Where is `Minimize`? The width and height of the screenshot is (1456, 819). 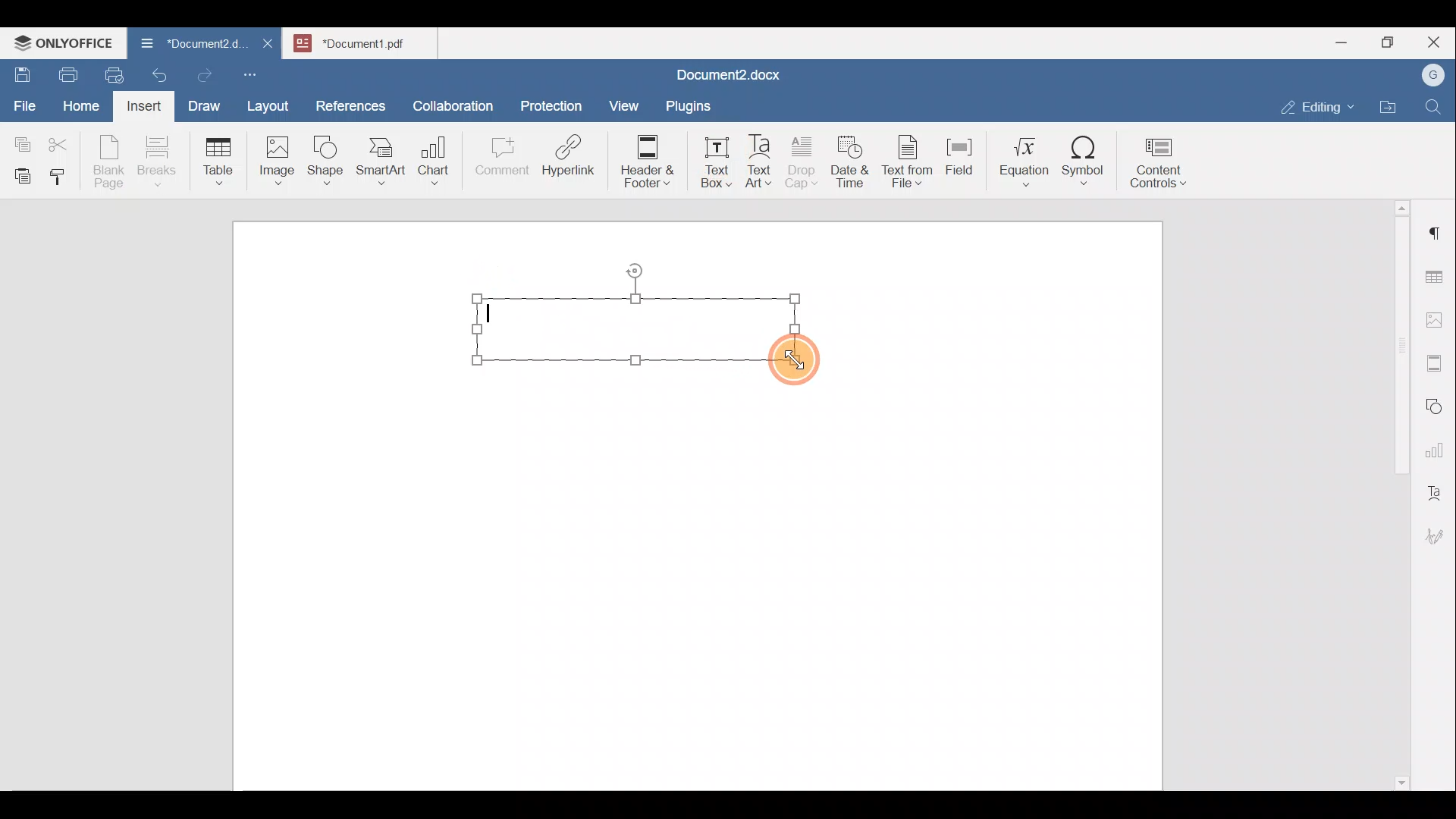
Minimize is located at coordinates (1341, 41).